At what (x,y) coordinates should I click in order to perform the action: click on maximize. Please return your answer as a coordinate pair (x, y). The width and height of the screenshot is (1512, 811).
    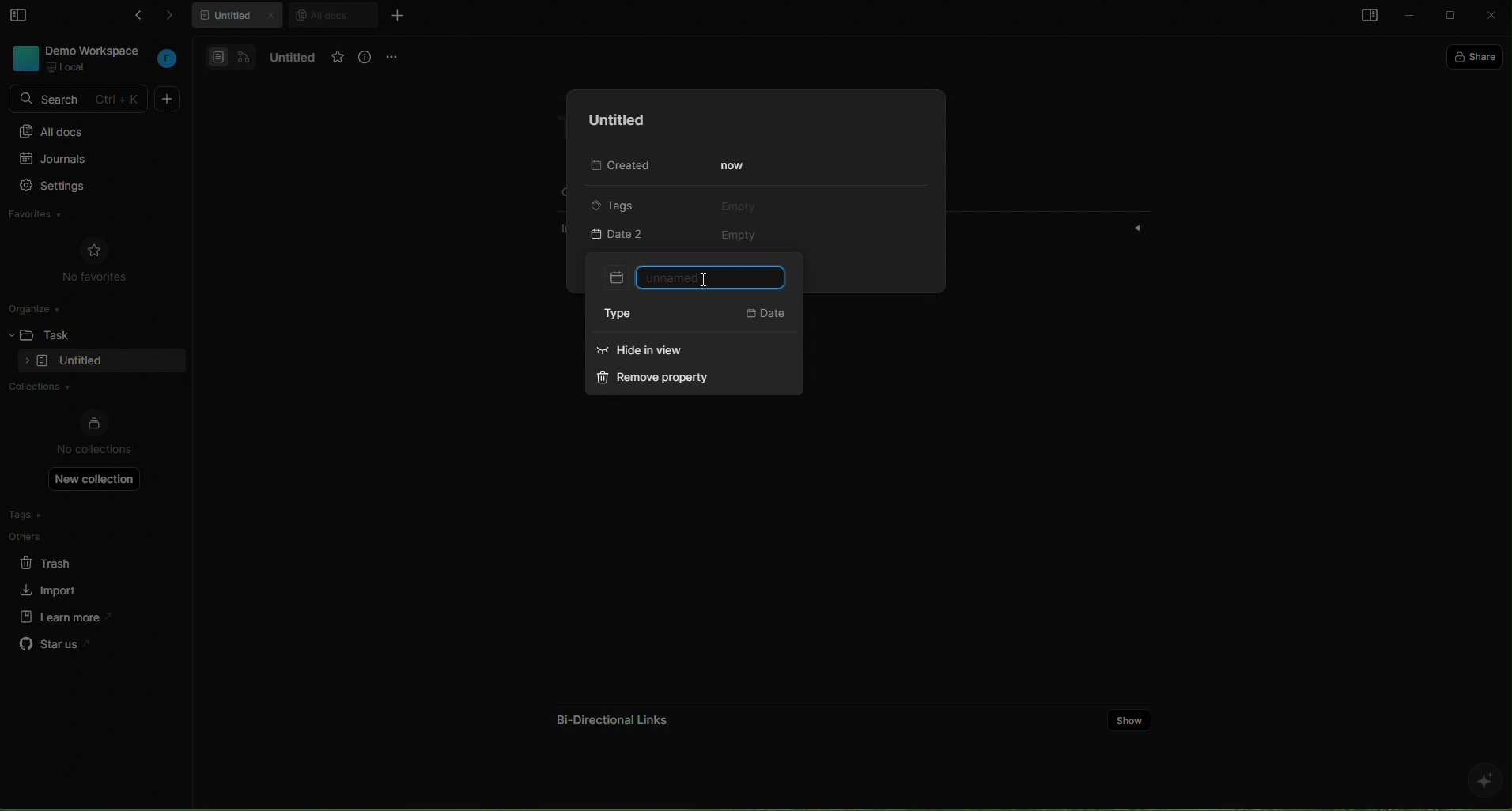
    Looking at the image, I should click on (1453, 17).